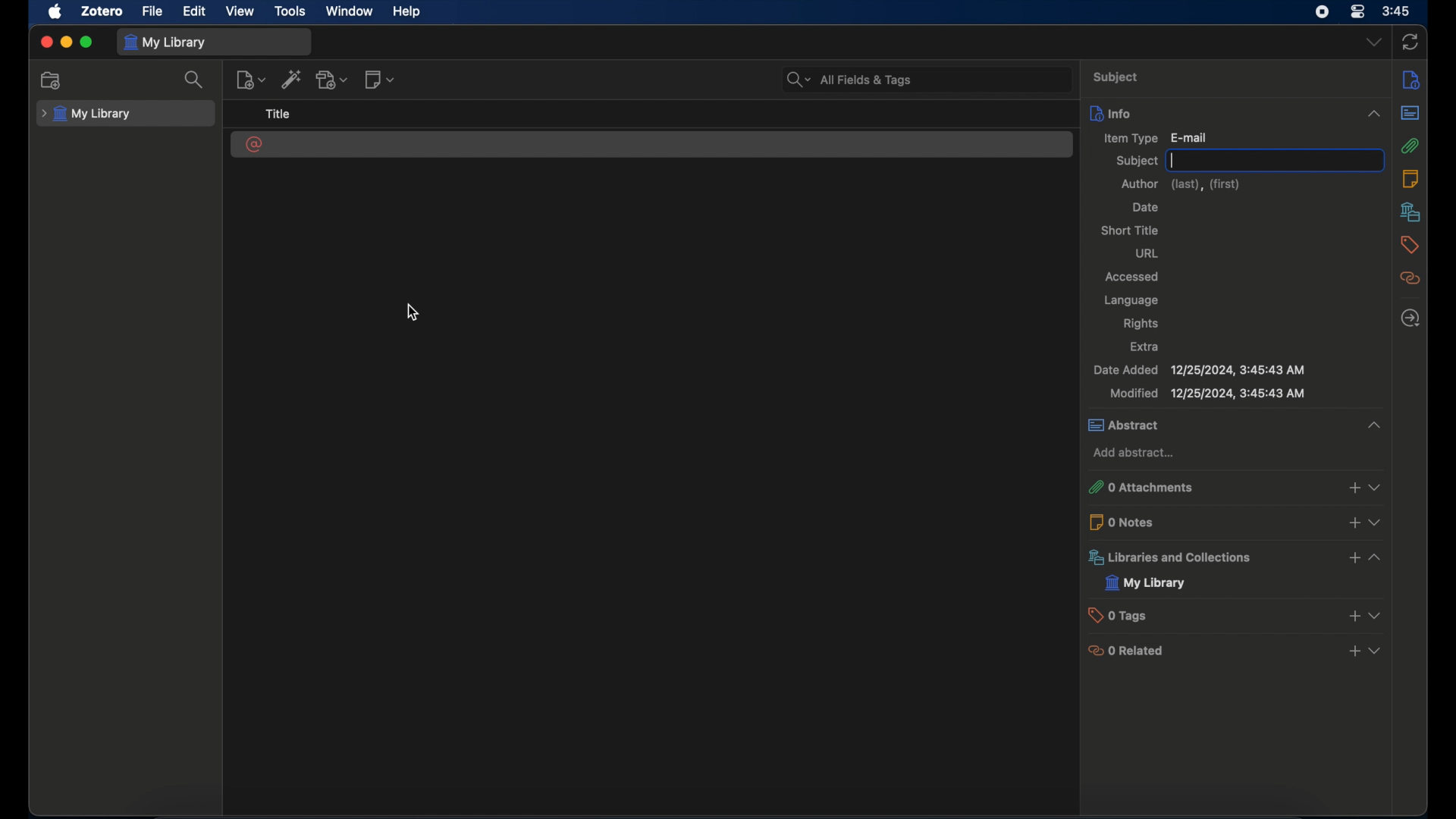 The image size is (1456, 819). I want to click on short title, so click(1130, 230).